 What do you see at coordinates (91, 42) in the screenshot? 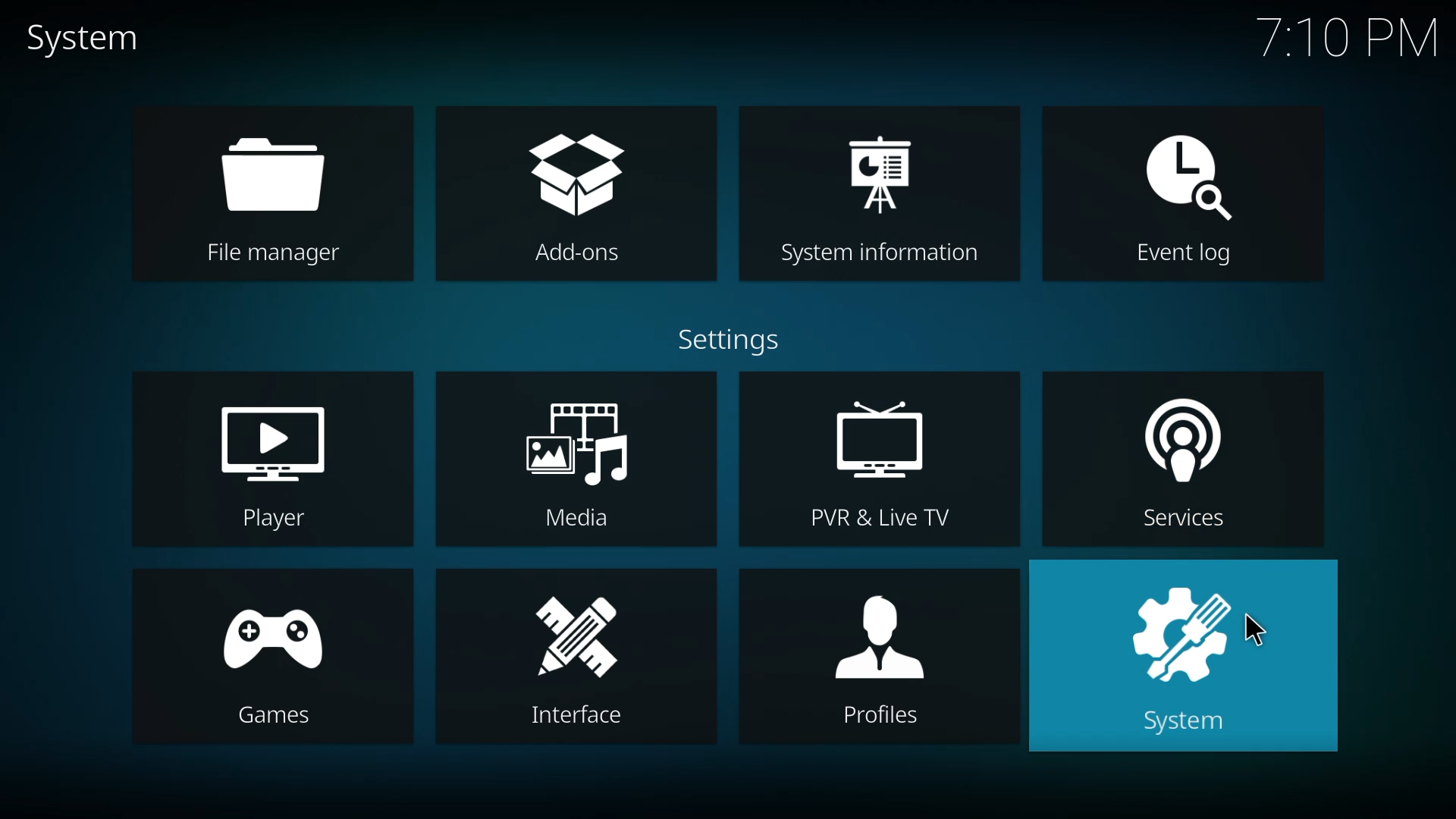
I see `system` at bounding box center [91, 42].